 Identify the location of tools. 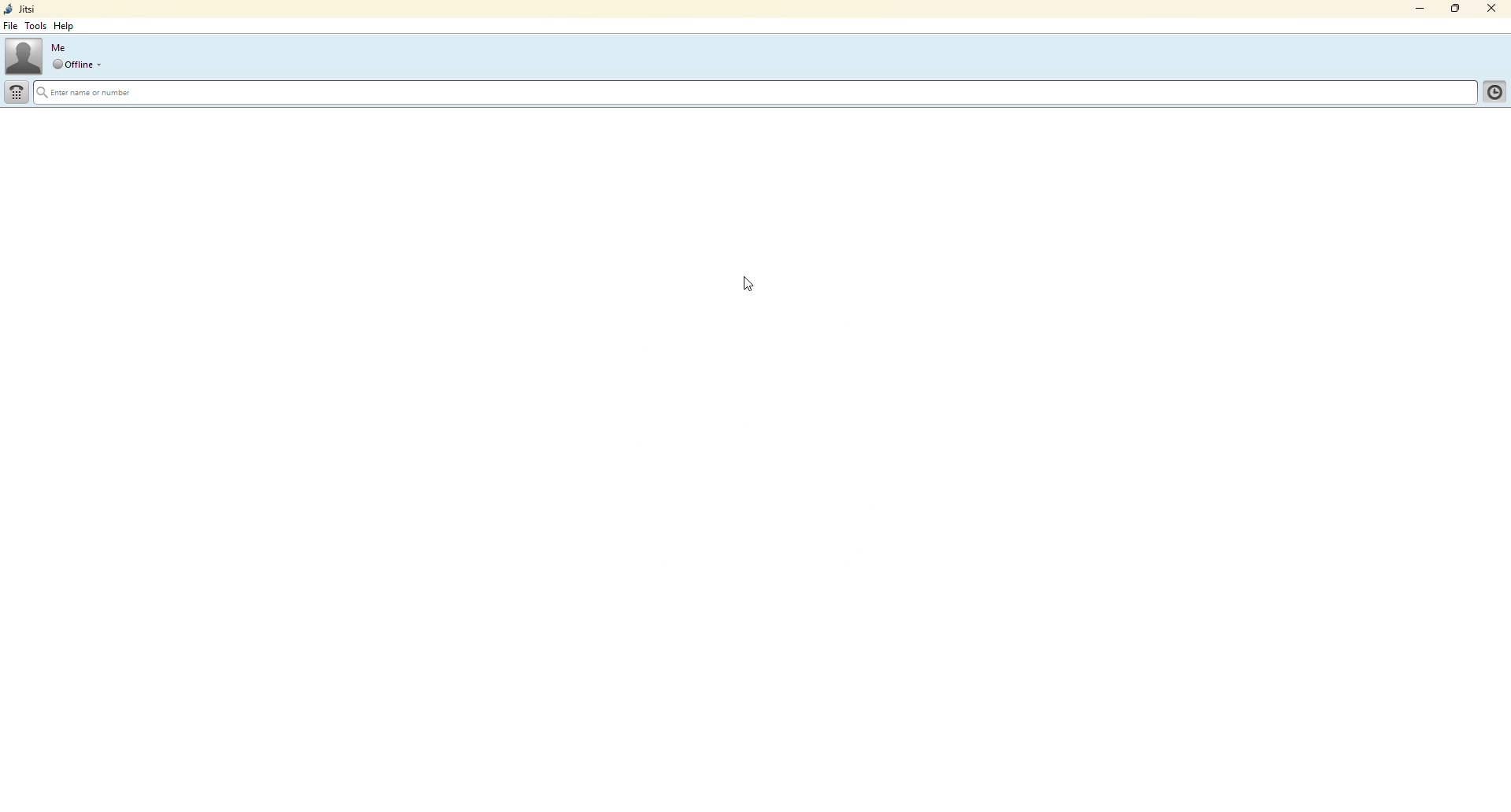
(39, 26).